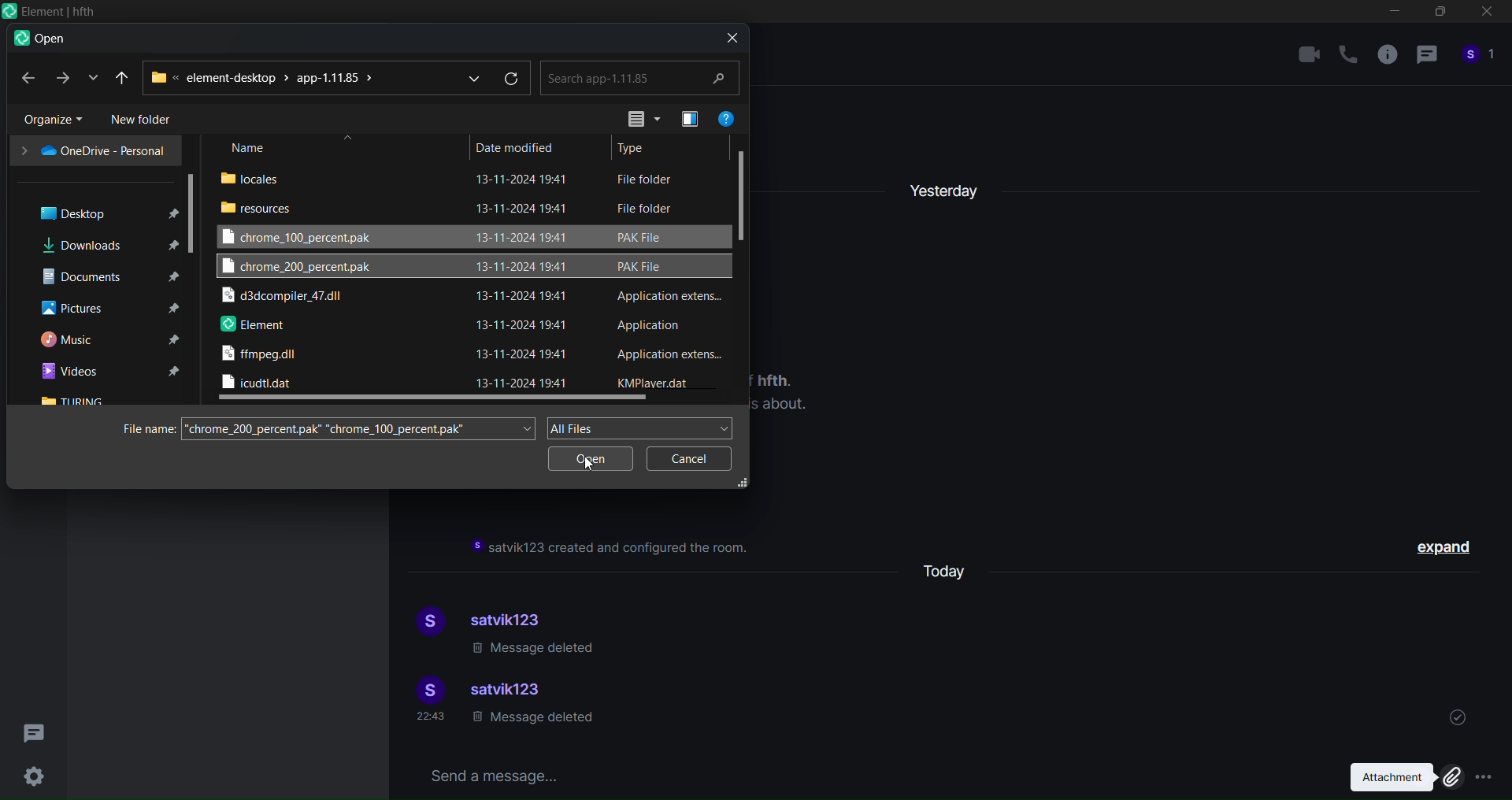 The width and height of the screenshot is (1512, 800). Describe the element at coordinates (98, 211) in the screenshot. I see `desktop` at that location.